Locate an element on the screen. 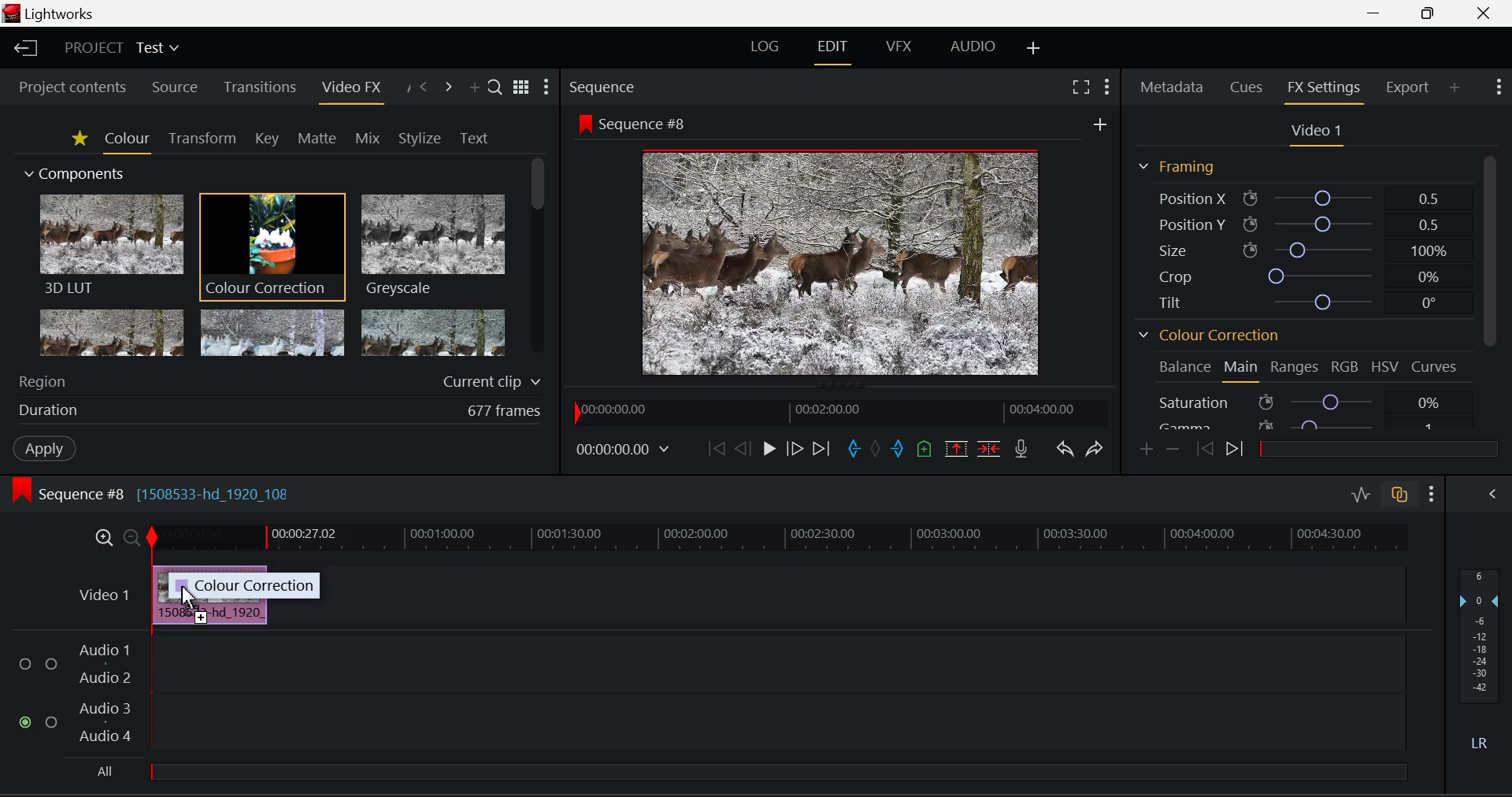  Project contents is located at coordinates (67, 86).